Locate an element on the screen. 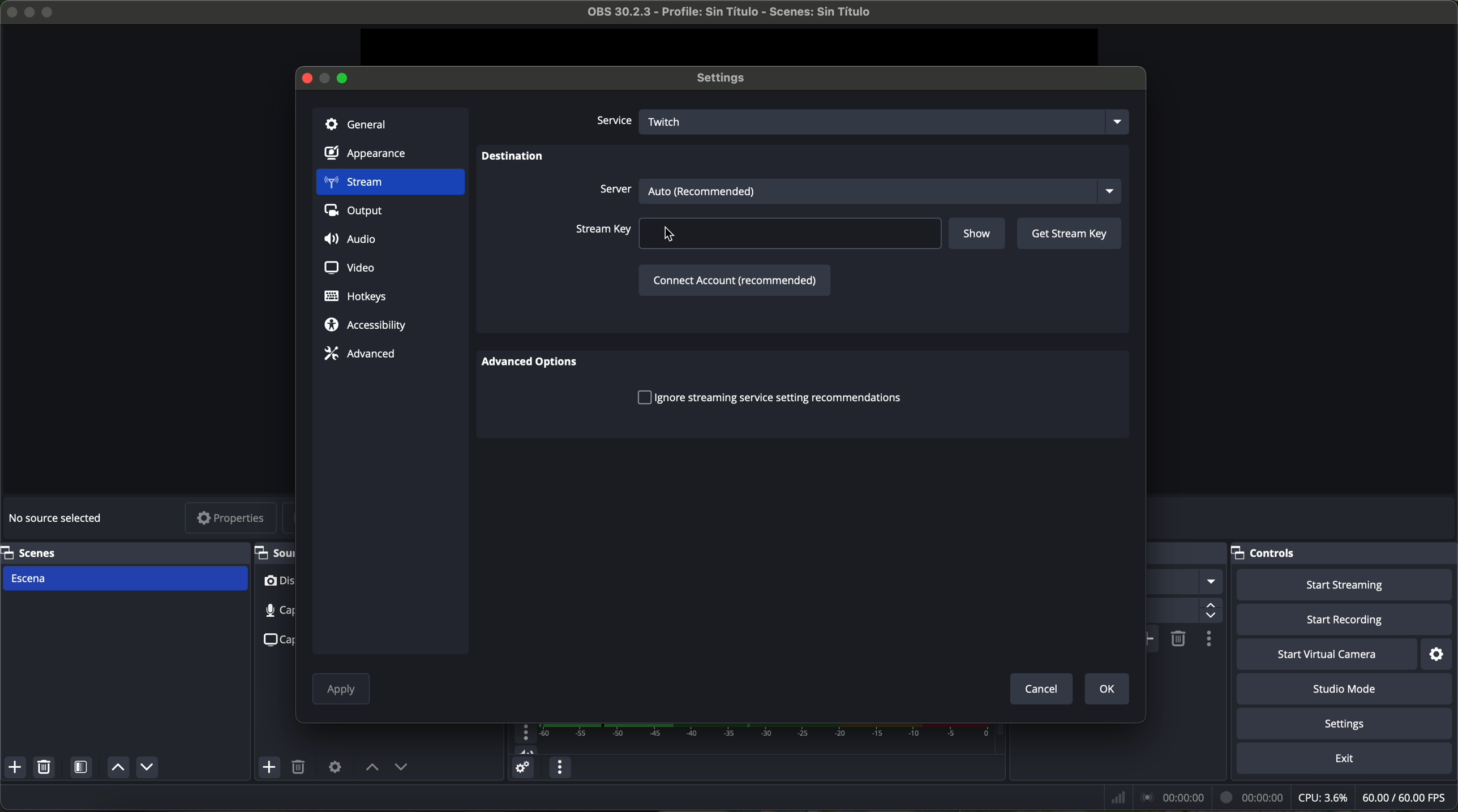 The image size is (1458, 812). move source down is located at coordinates (147, 767).